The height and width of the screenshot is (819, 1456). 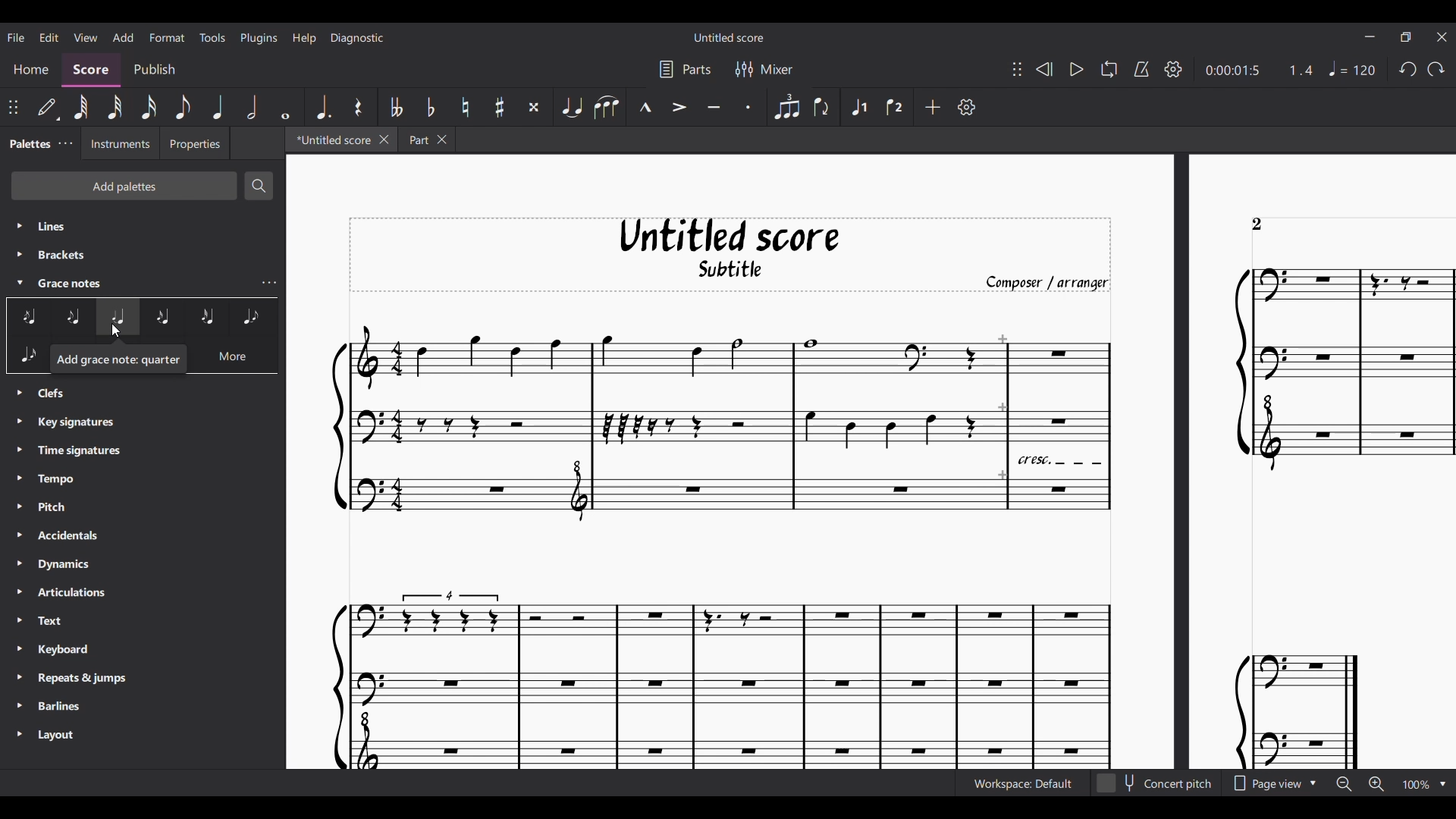 I want to click on Quarter note, so click(x=218, y=107).